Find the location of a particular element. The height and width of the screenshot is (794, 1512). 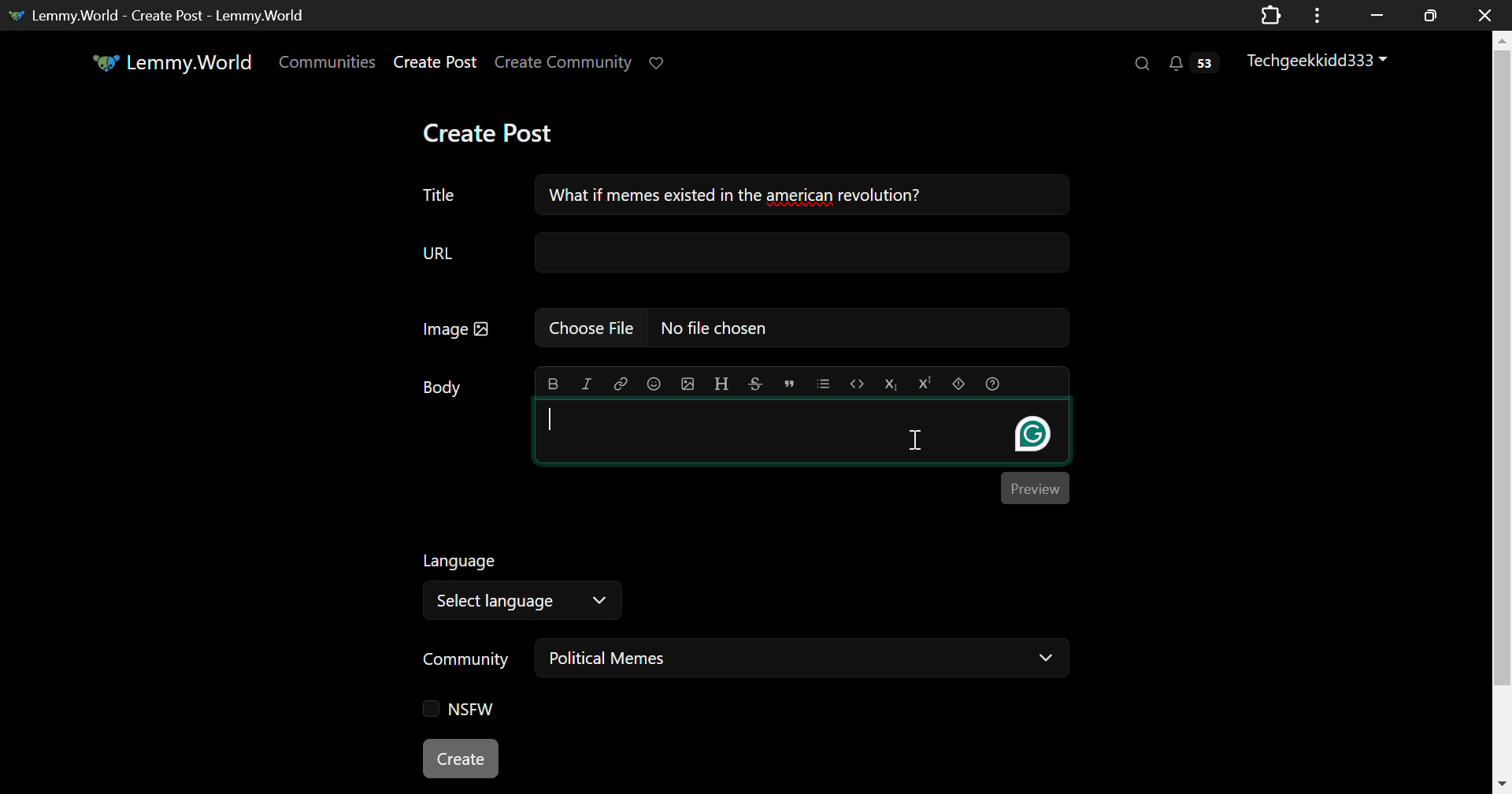

Insert Emoji is located at coordinates (654, 382).